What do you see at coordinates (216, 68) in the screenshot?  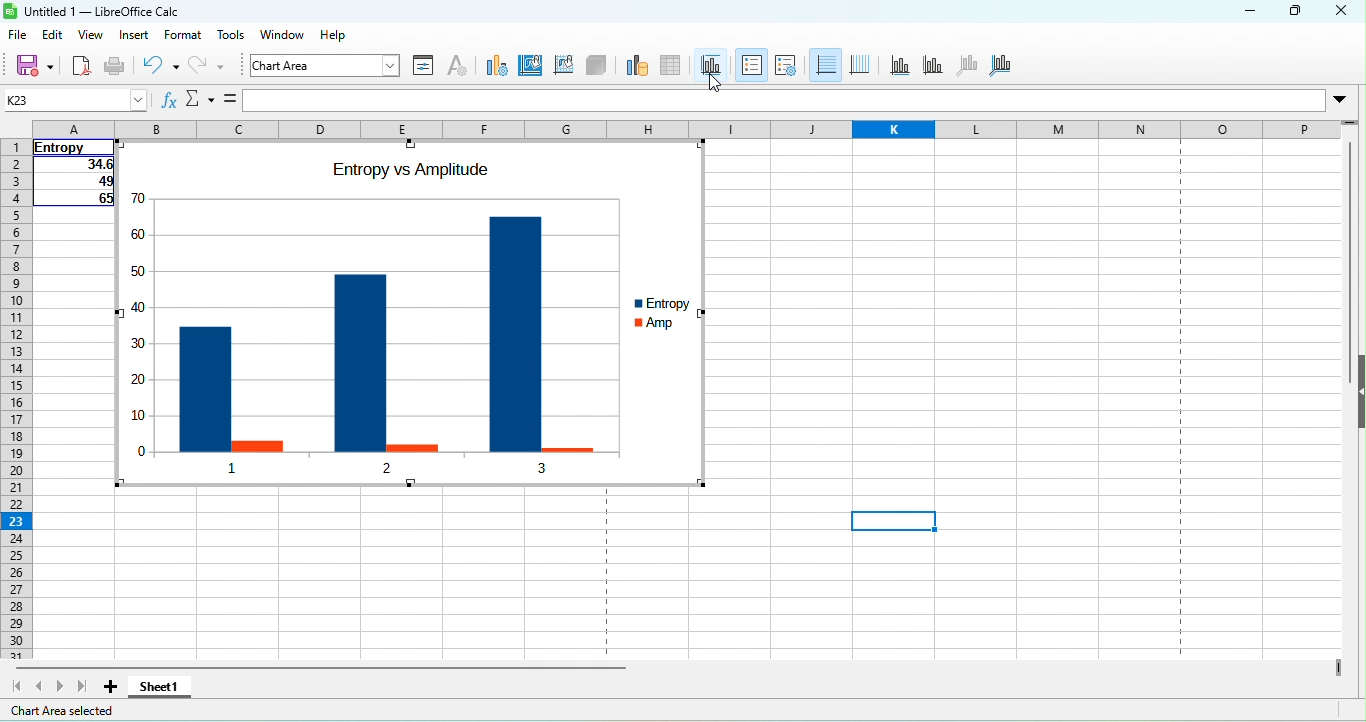 I see `redo` at bounding box center [216, 68].